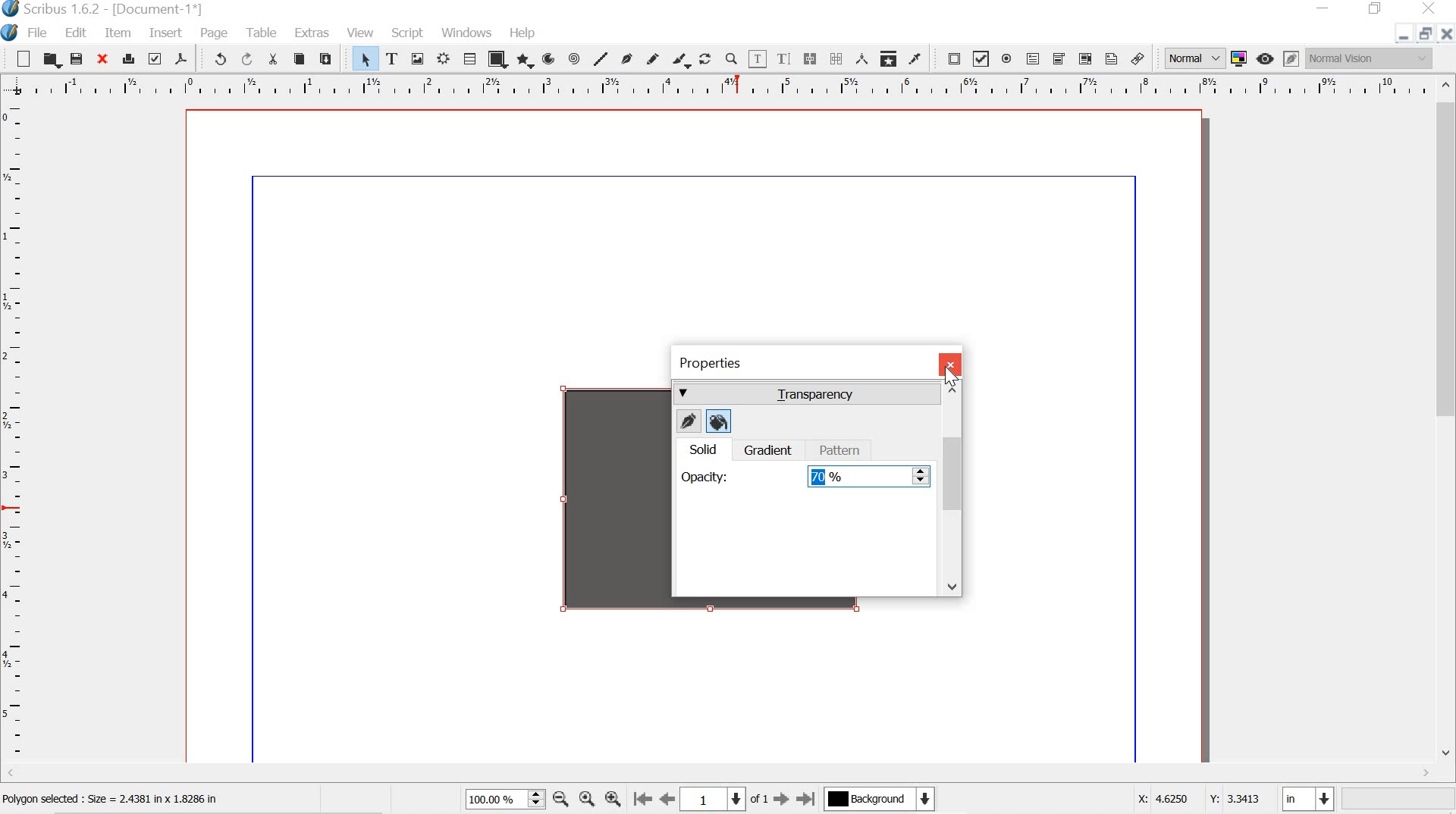 The width and height of the screenshot is (1456, 814). Describe the element at coordinates (806, 394) in the screenshot. I see `transparency` at that location.